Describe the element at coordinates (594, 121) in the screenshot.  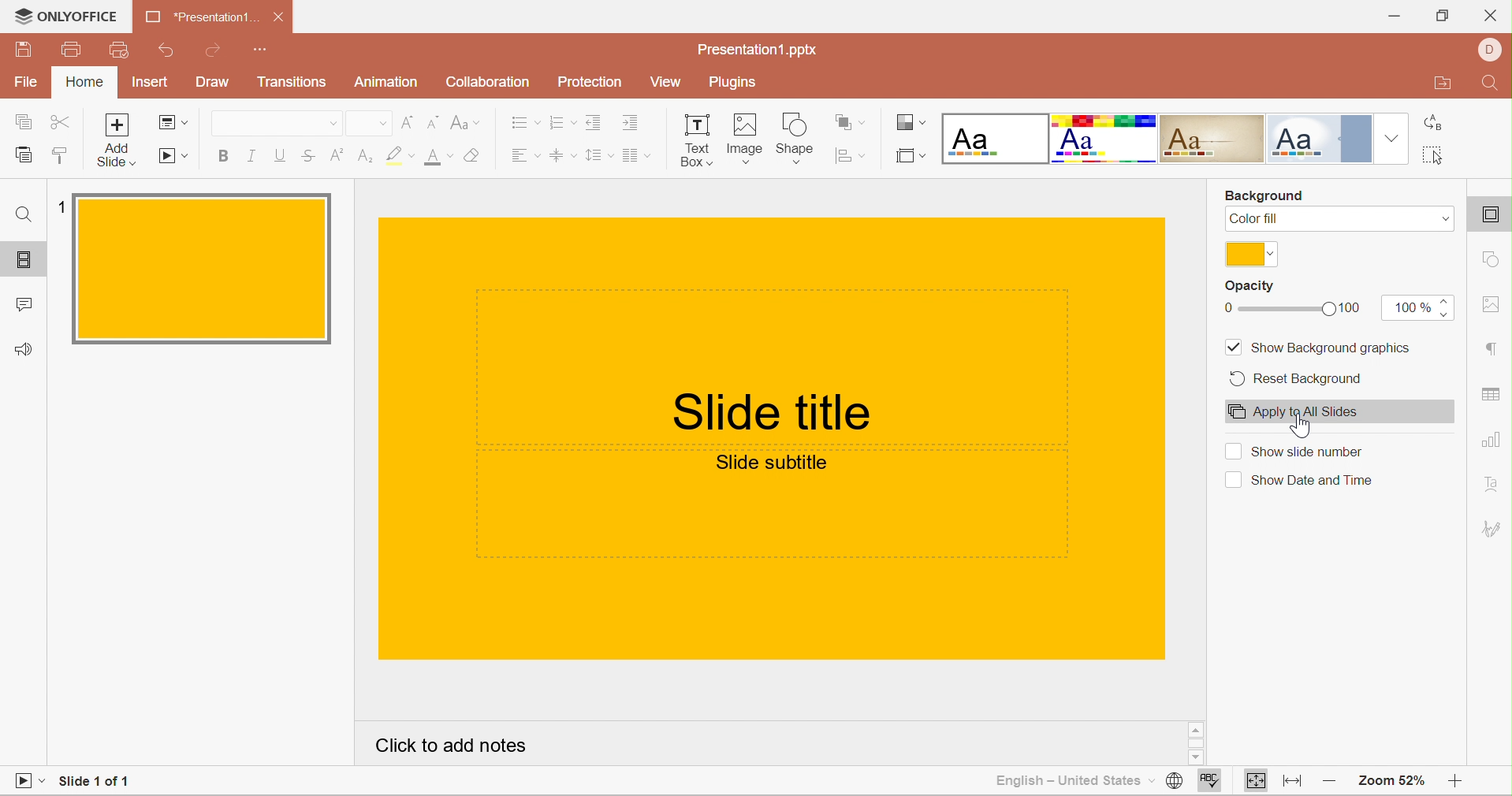
I see `Decrease Indent` at that location.